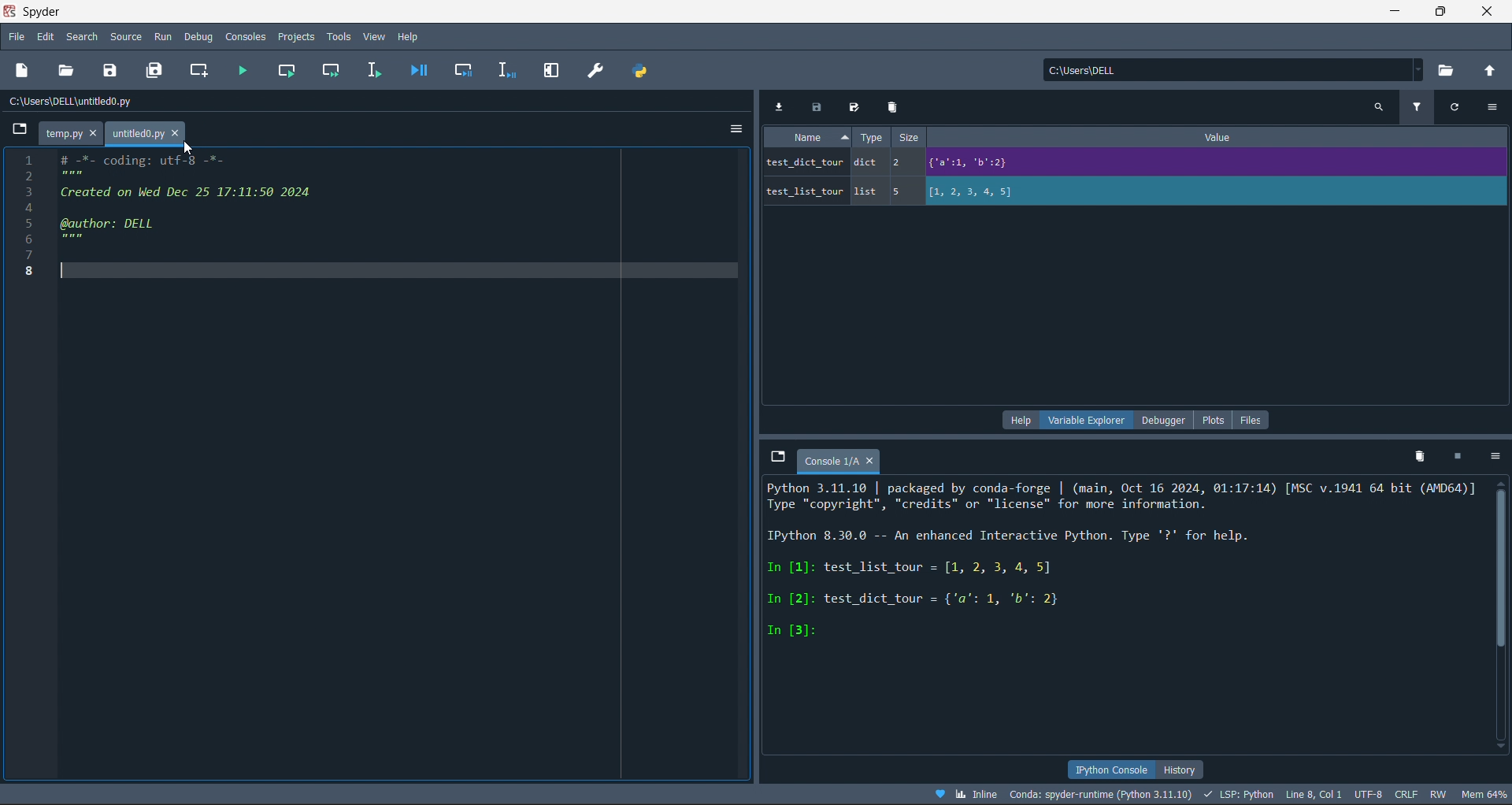 Image resolution: width=1512 pixels, height=805 pixels. Describe the element at coordinates (774, 457) in the screenshot. I see `browse tabs` at that location.